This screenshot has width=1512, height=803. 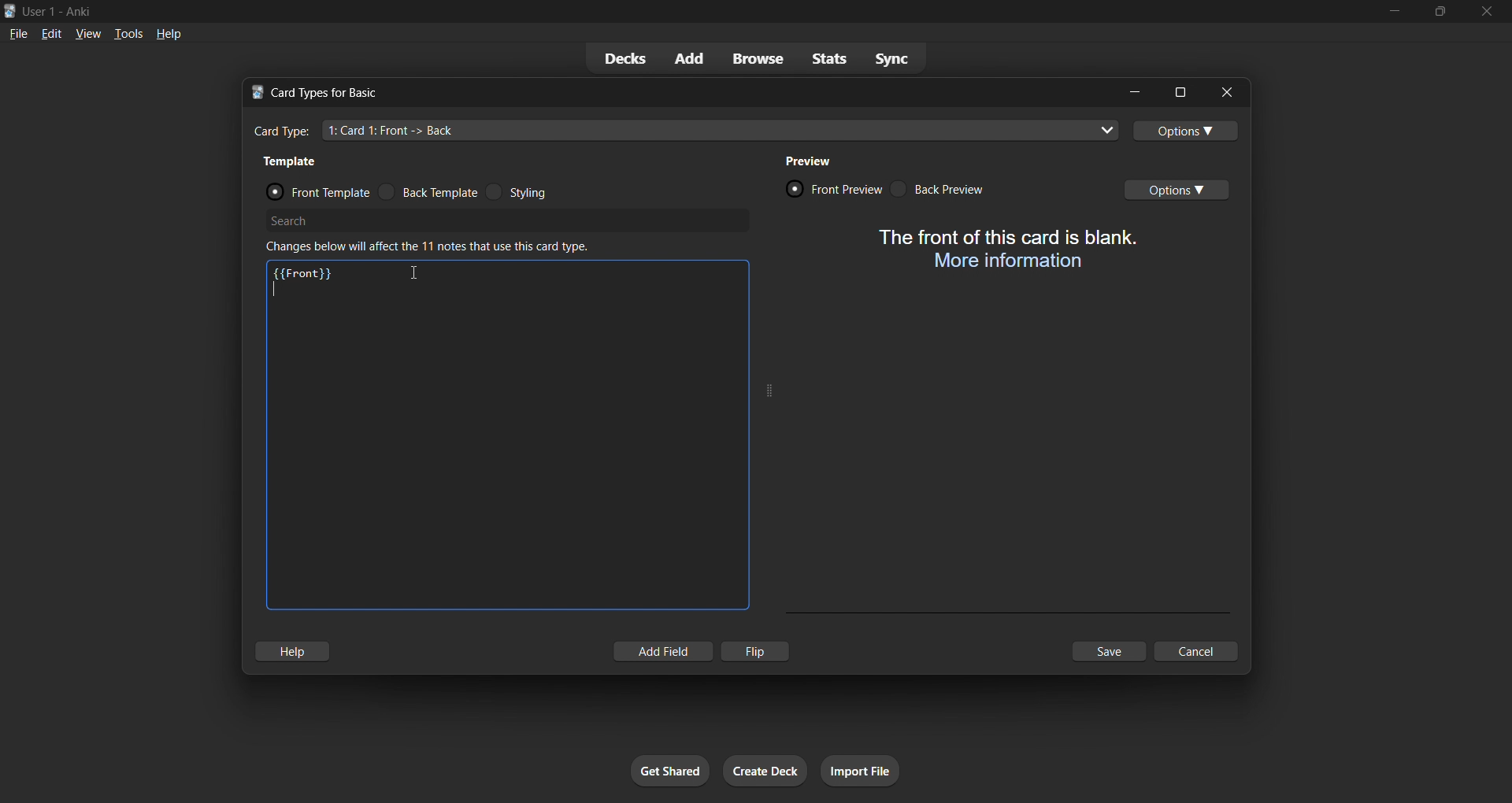 What do you see at coordinates (685, 56) in the screenshot?
I see `add` at bounding box center [685, 56].